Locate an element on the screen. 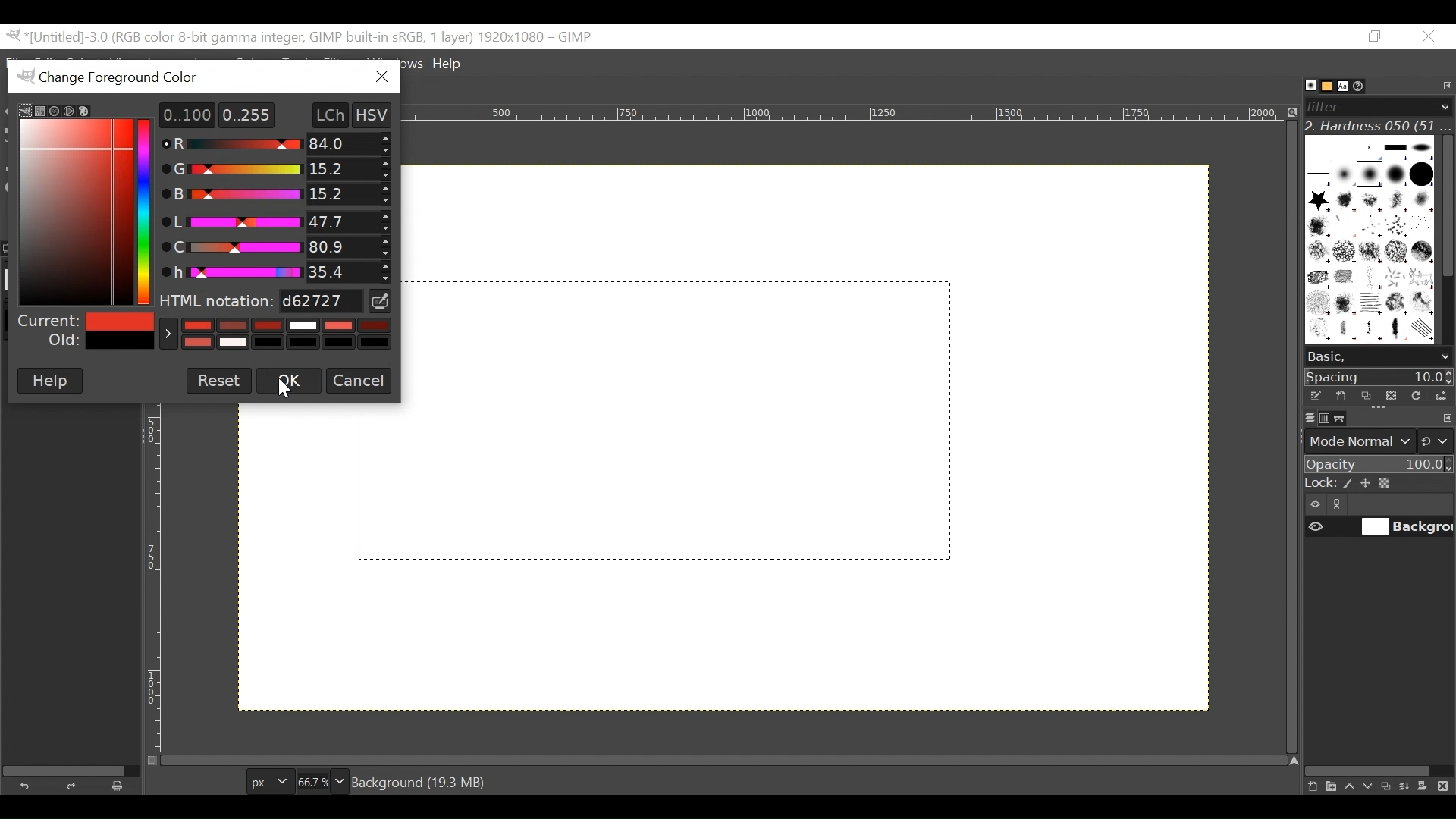 Image resolution: width=1456 pixels, height=819 pixels. Close is located at coordinates (1427, 37).